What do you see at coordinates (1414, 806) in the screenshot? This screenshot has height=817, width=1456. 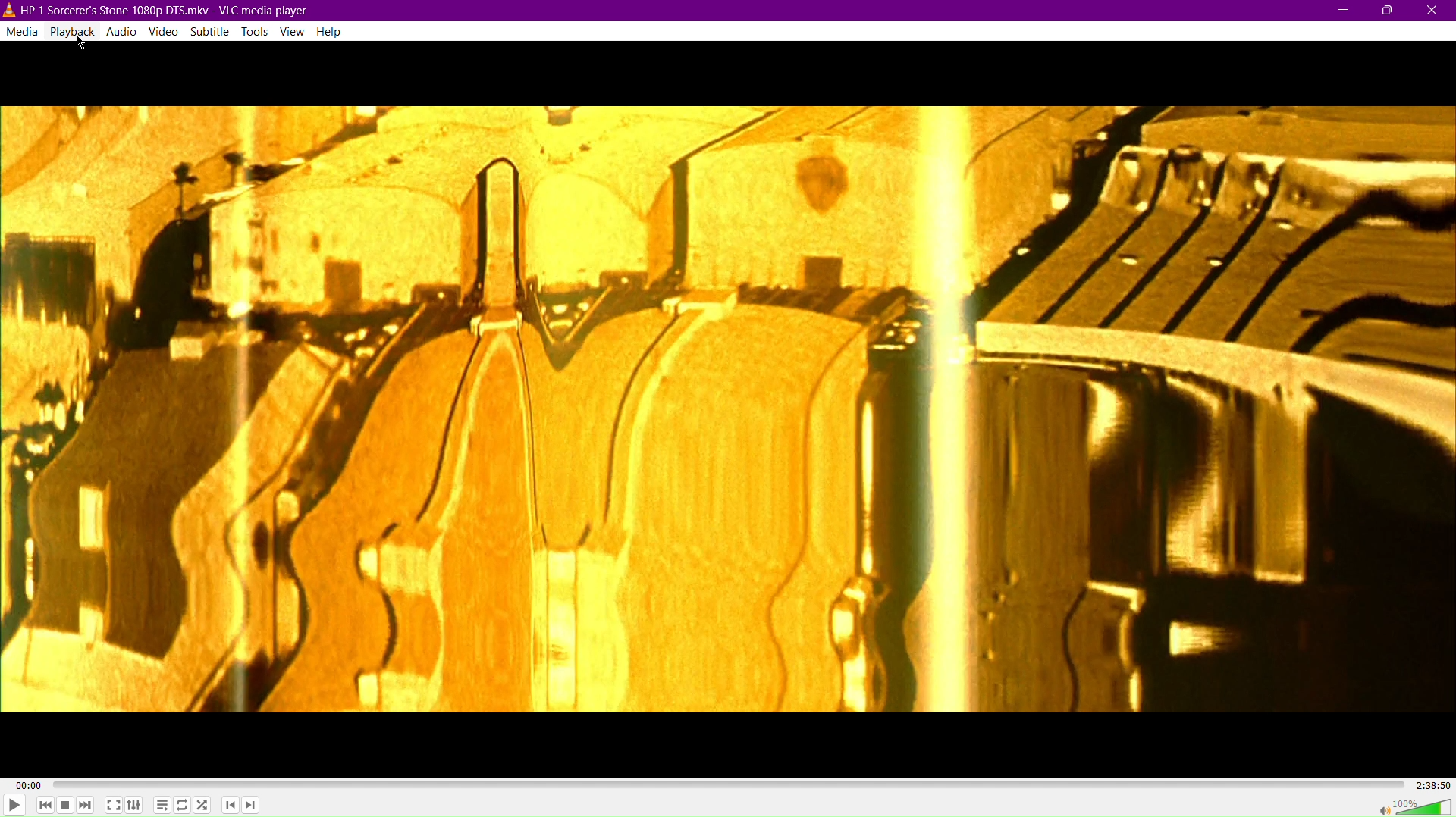 I see `Volume 100%` at bounding box center [1414, 806].